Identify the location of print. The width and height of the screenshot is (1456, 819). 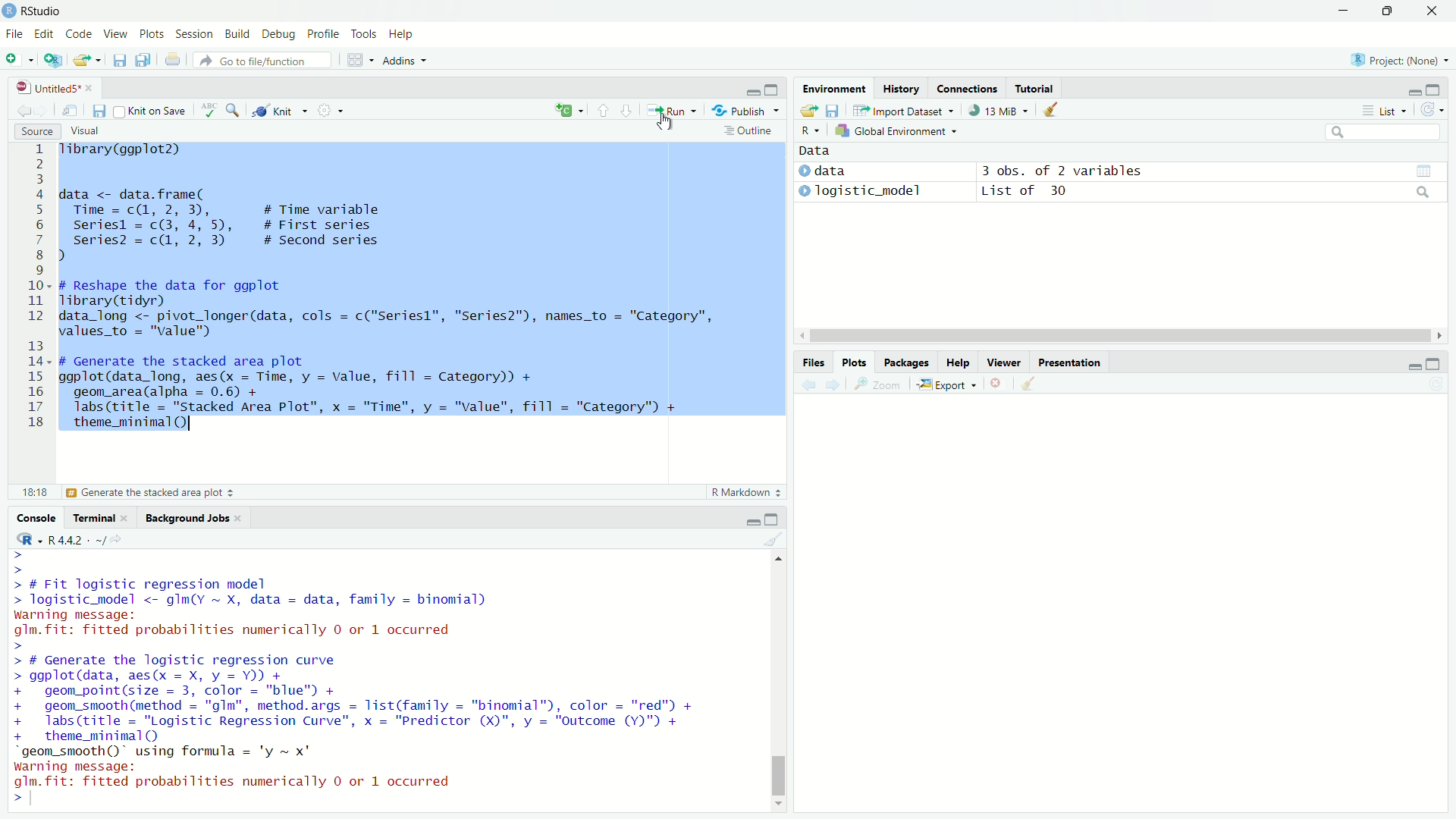
(174, 65).